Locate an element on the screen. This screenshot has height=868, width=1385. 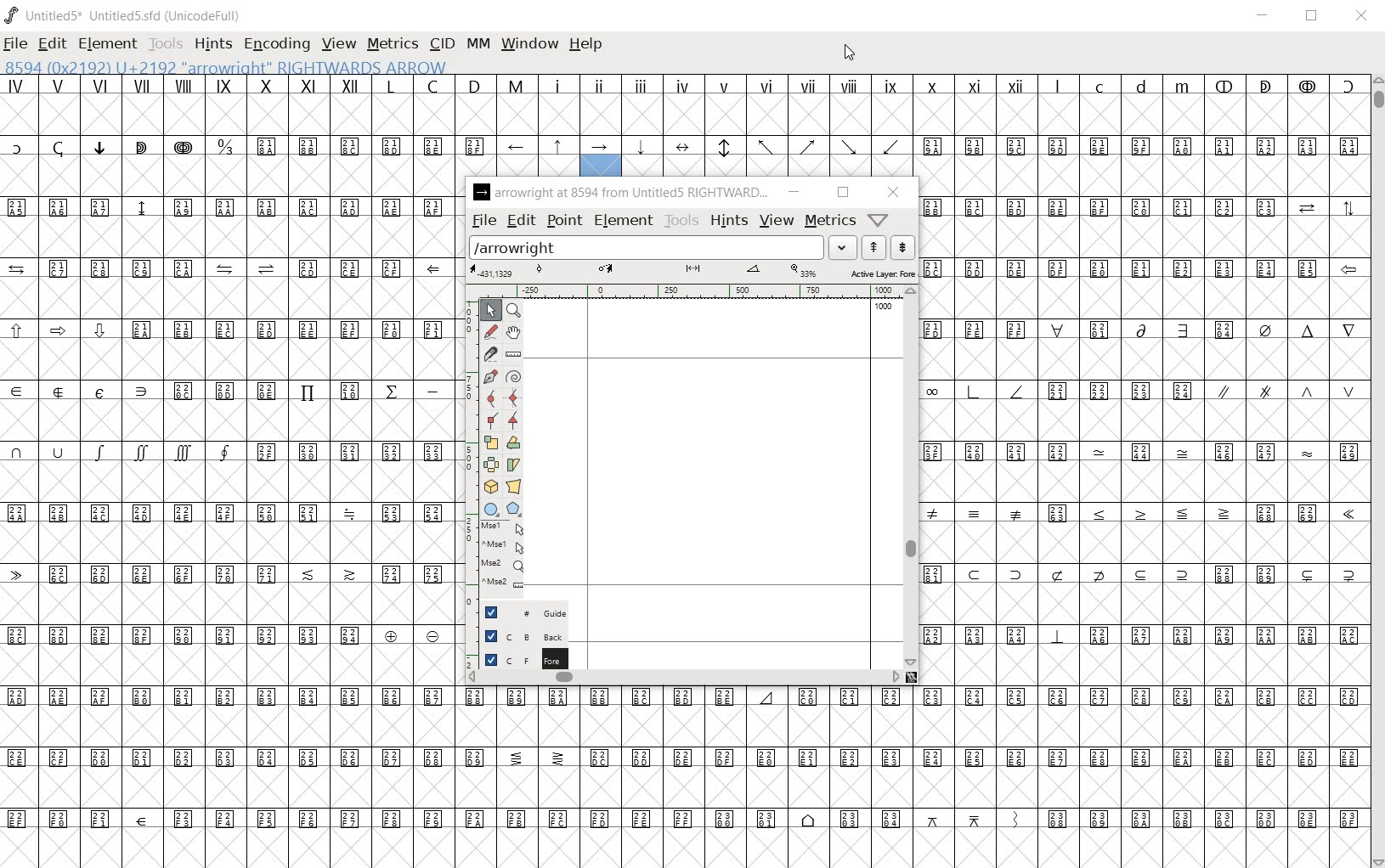
perform a perspective transformation on the selection is located at coordinates (514, 487).